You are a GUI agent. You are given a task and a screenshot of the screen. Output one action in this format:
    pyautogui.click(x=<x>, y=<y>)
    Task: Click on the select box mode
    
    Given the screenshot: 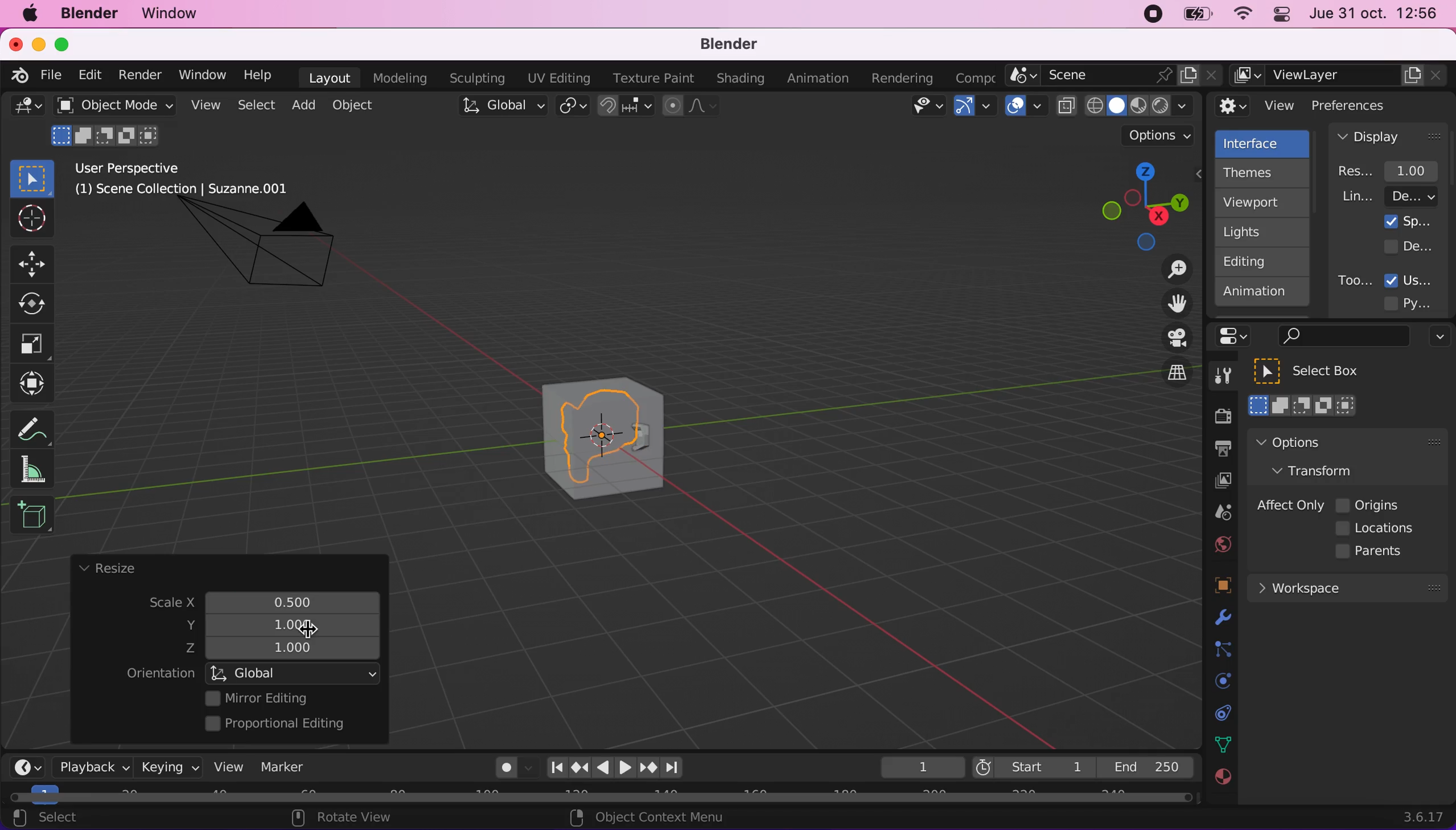 What is the action you would take?
    pyautogui.click(x=1303, y=405)
    